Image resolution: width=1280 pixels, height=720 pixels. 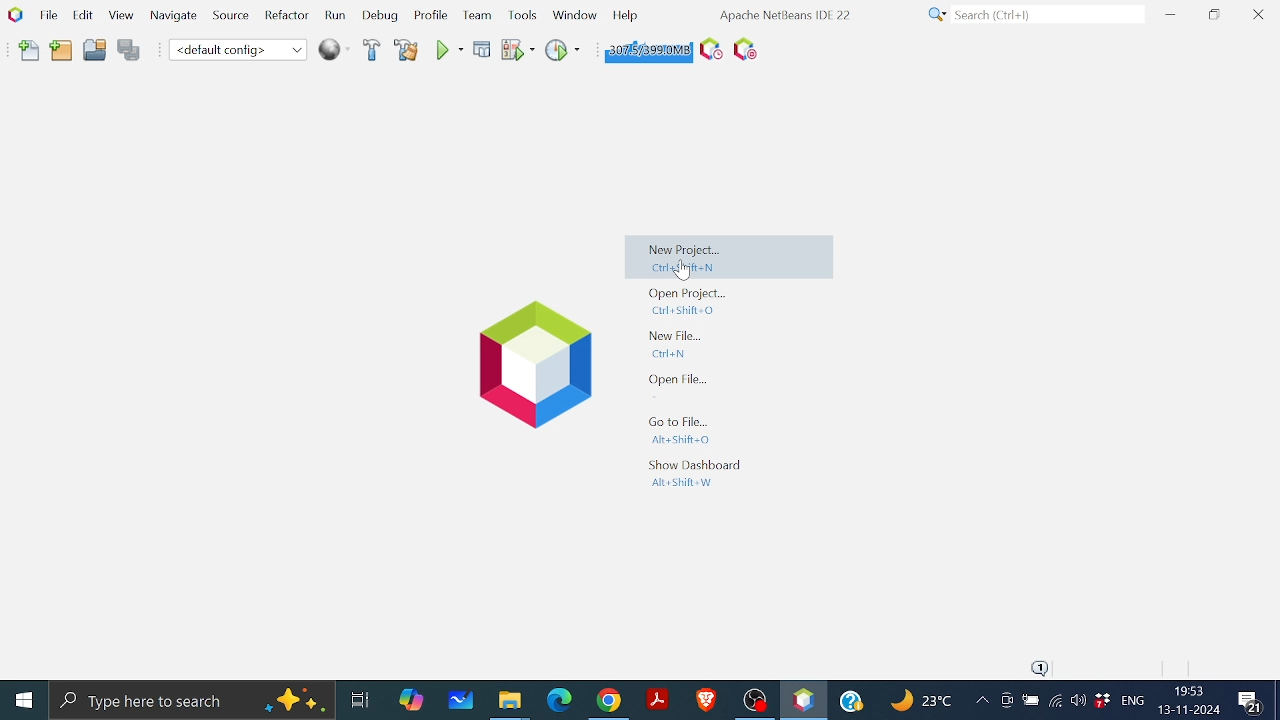 I want to click on Go to file, so click(x=678, y=430).